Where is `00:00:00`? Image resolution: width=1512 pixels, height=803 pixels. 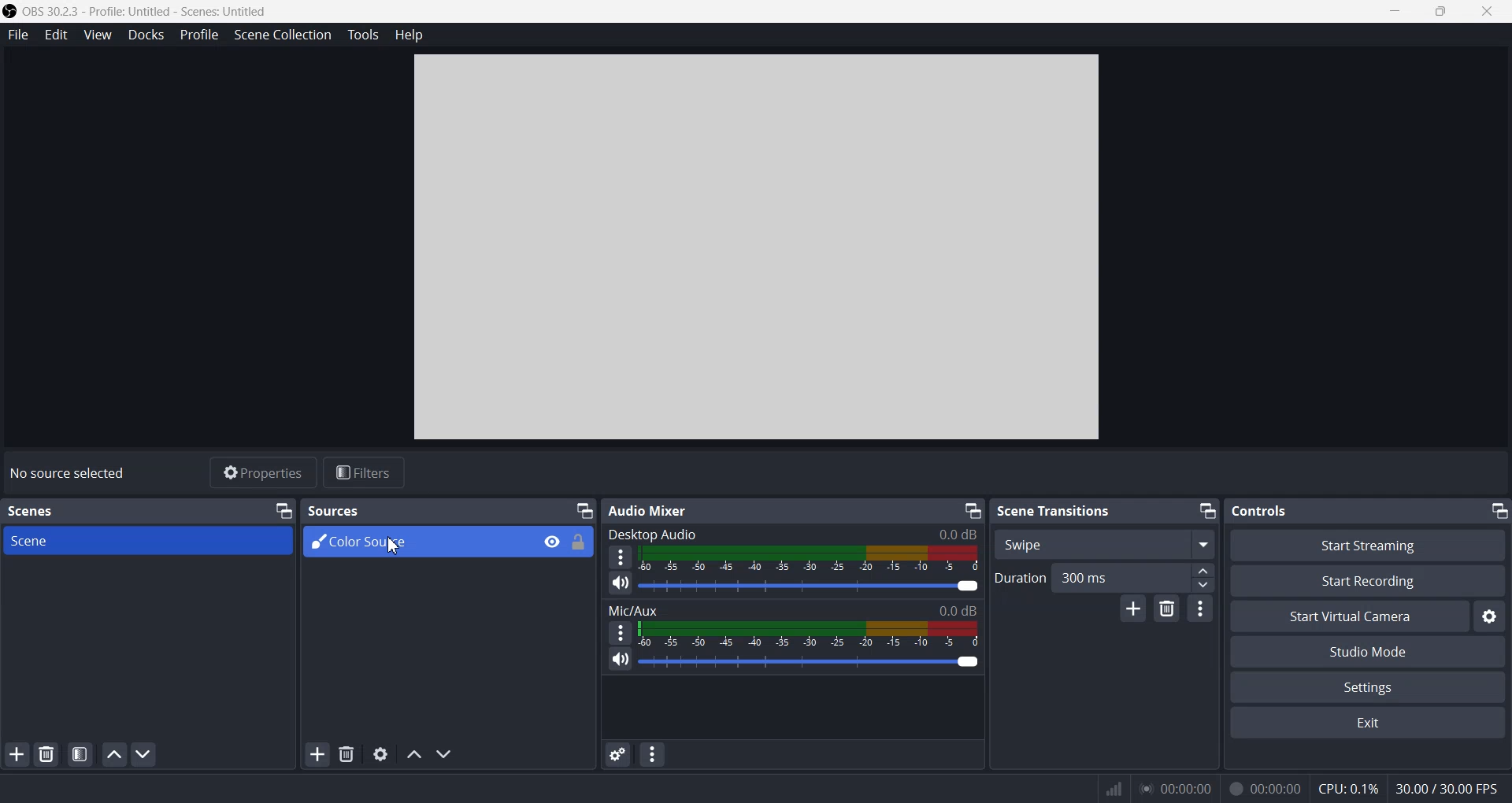 00:00:00 is located at coordinates (1263, 786).